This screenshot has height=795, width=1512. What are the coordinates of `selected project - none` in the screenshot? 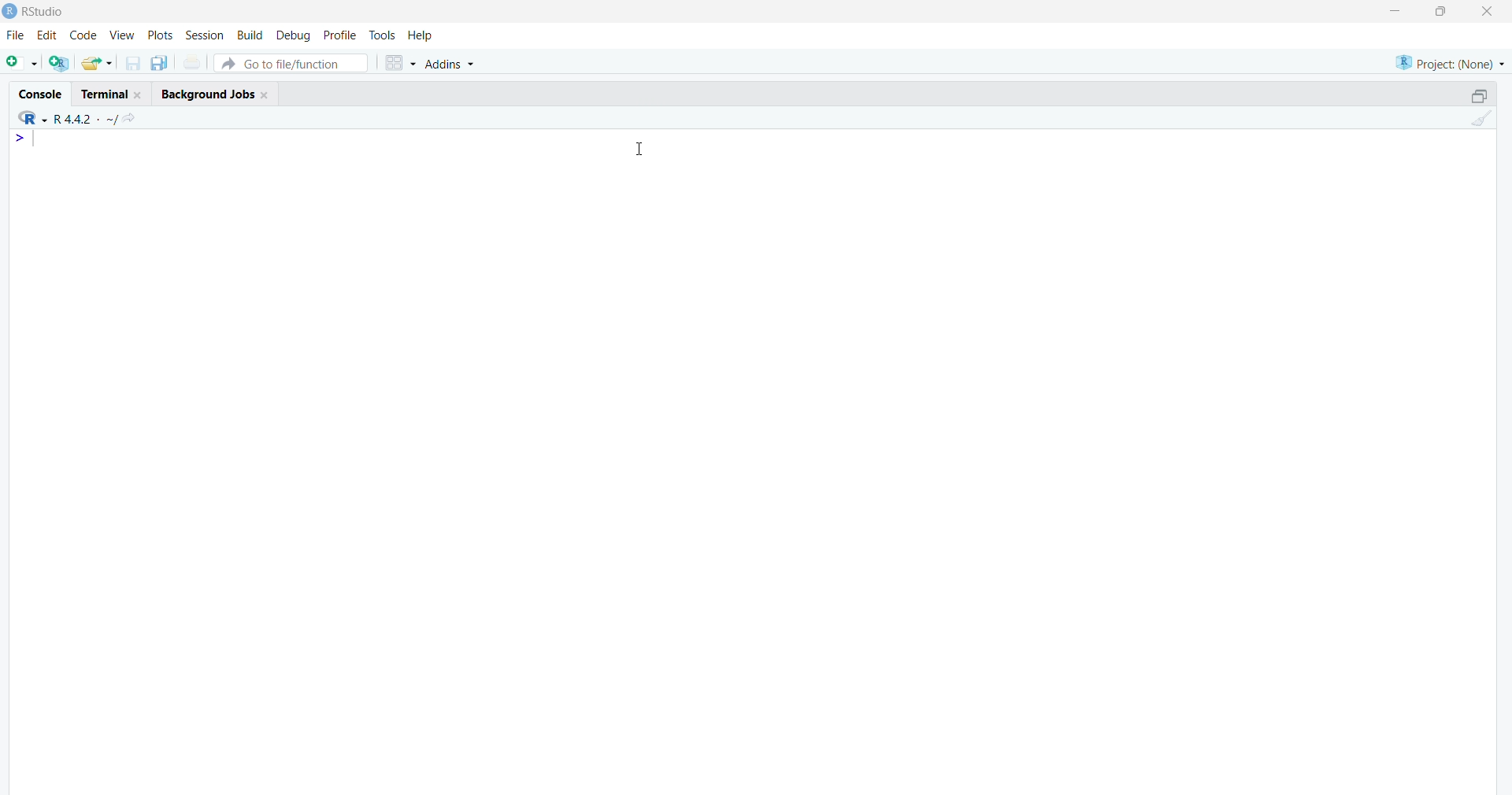 It's located at (1452, 62).